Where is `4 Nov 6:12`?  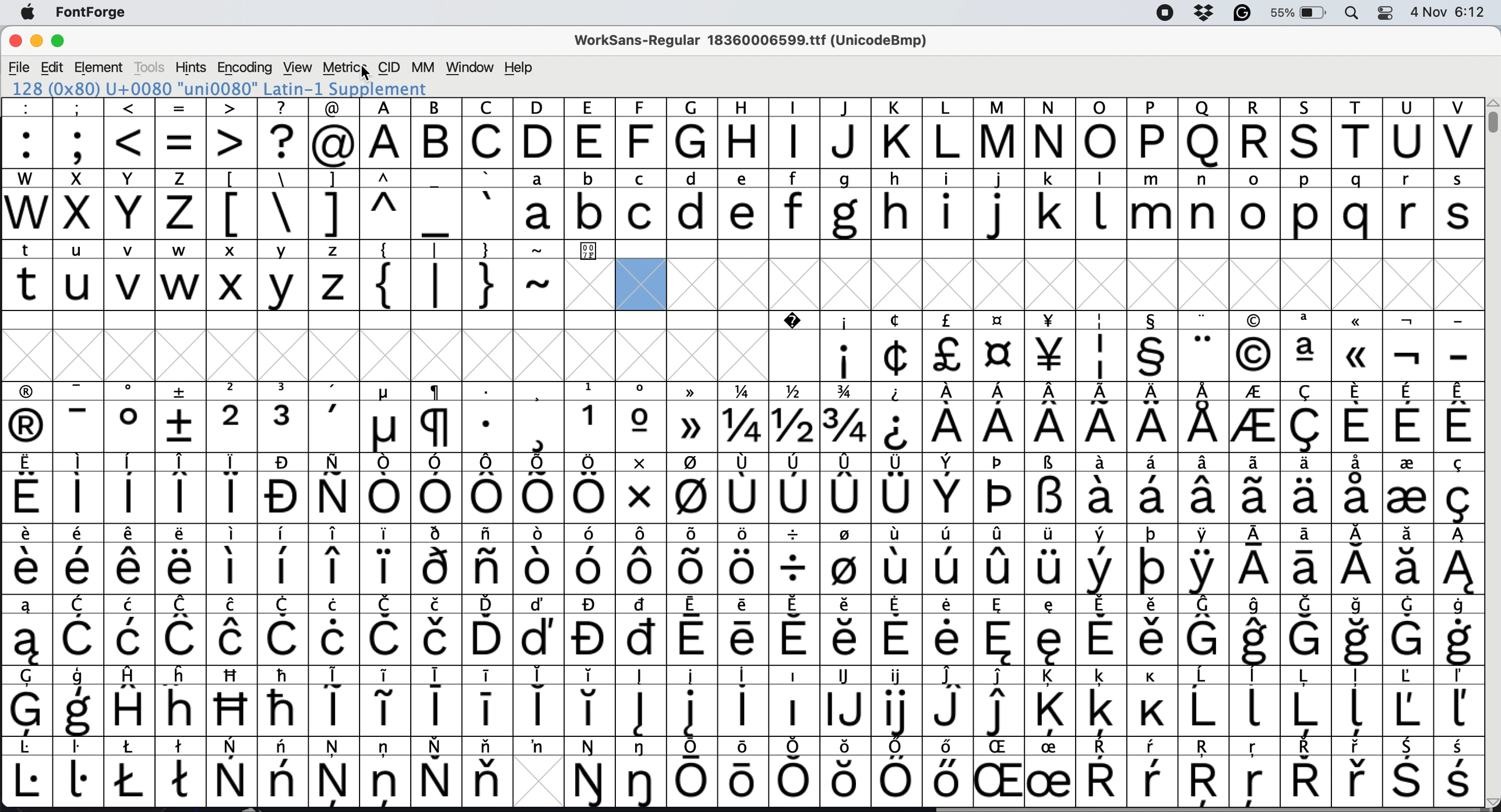 4 Nov 6:12 is located at coordinates (1447, 14).